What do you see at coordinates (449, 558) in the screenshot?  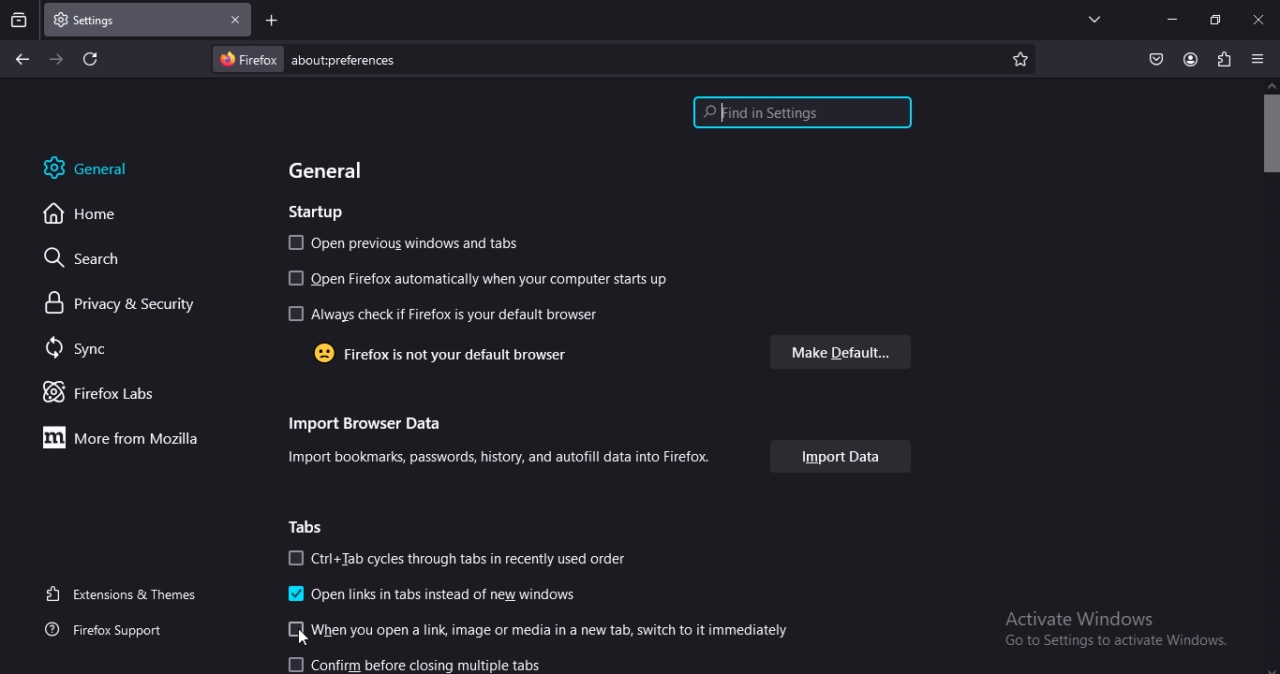 I see `Ctri+Tab cycles through tabs in recently used order` at bounding box center [449, 558].